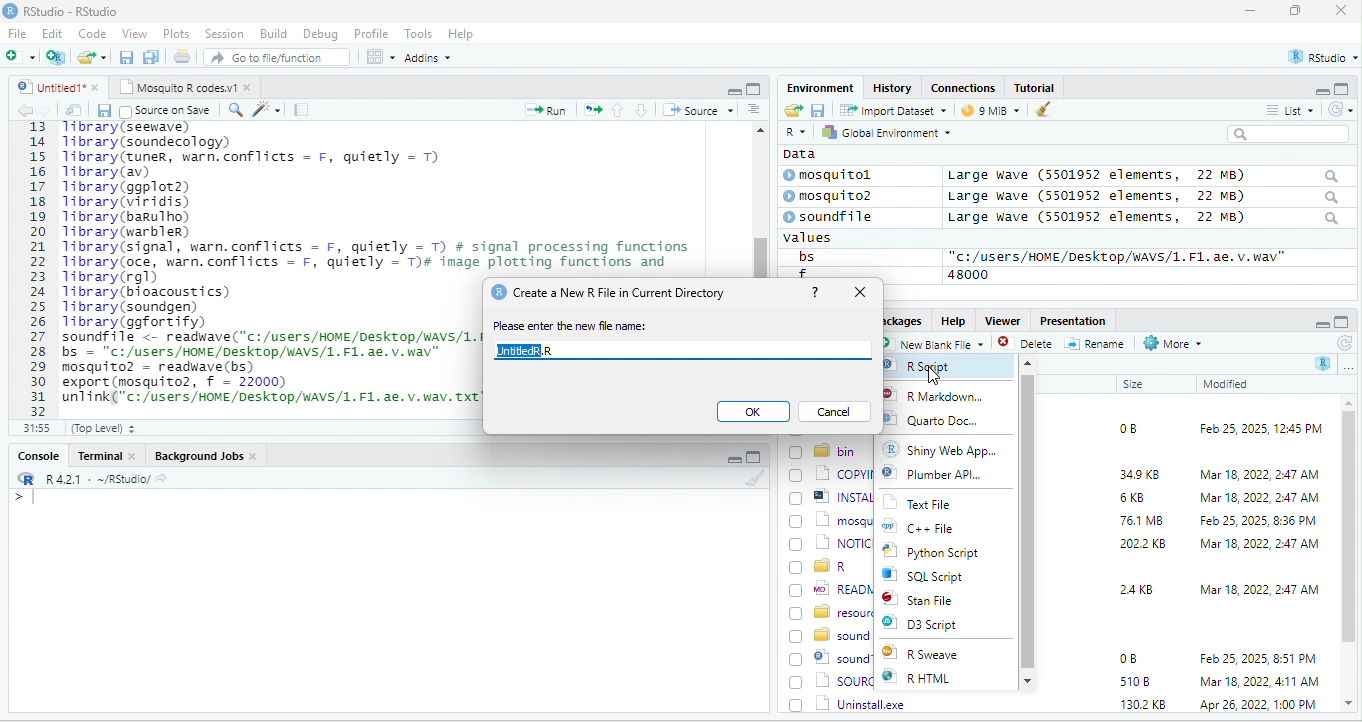 This screenshot has width=1362, height=722. I want to click on 9 mb, so click(993, 112).